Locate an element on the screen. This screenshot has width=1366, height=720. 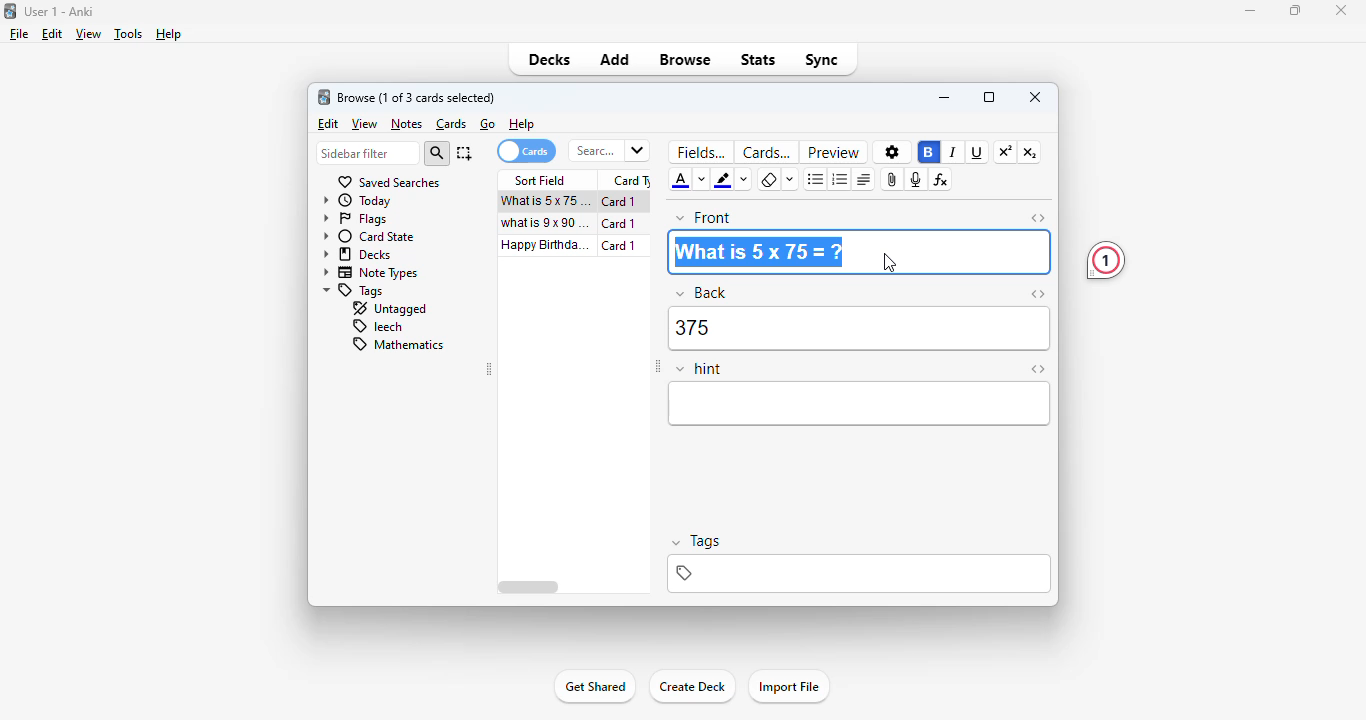
select formatting to remove is located at coordinates (789, 181).